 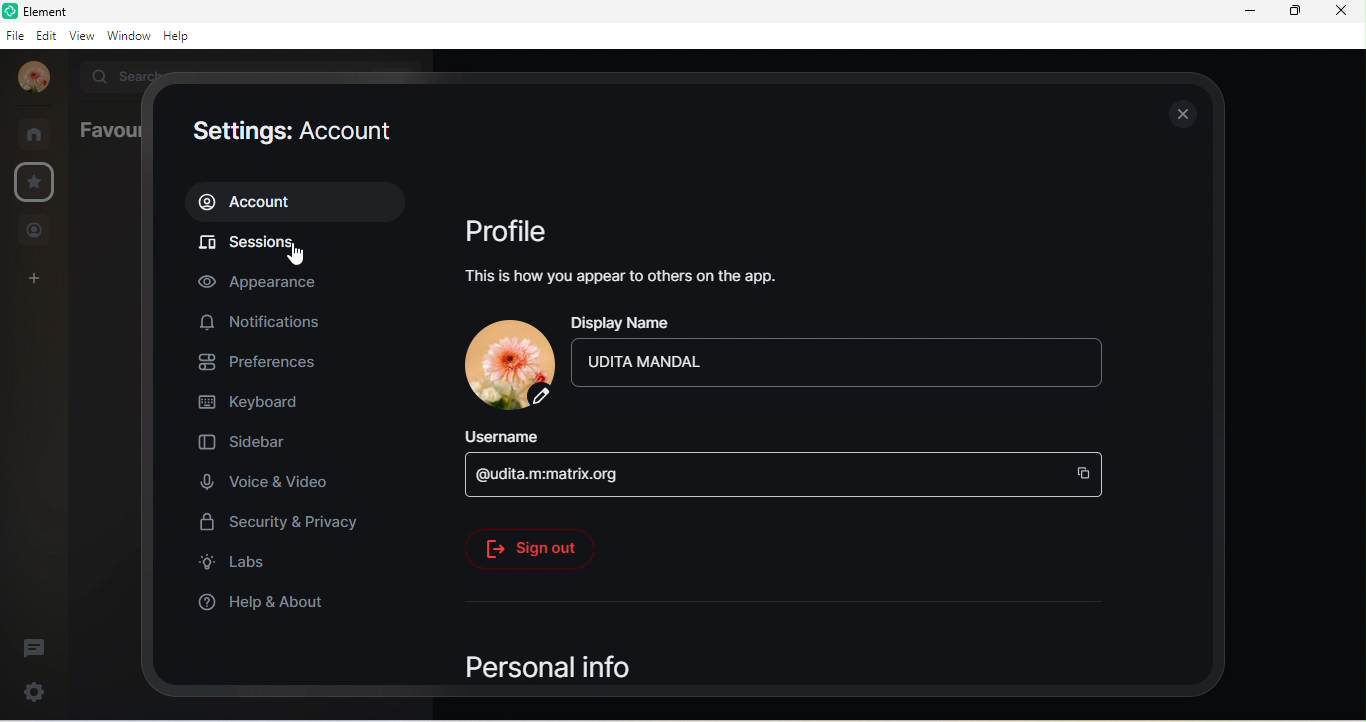 What do you see at coordinates (181, 37) in the screenshot?
I see `help` at bounding box center [181, 37].